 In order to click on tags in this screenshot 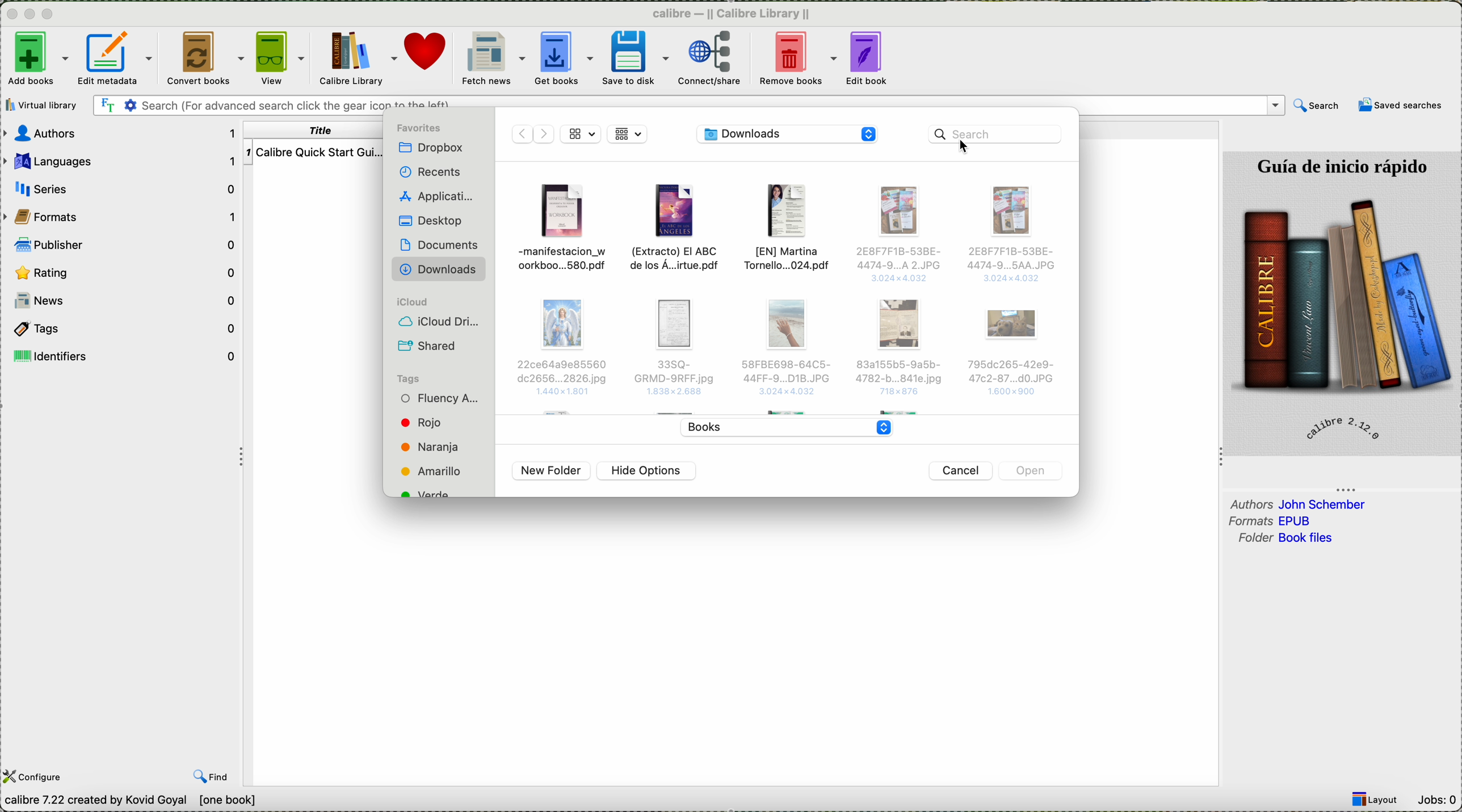, I will do `click(440, 444)`.